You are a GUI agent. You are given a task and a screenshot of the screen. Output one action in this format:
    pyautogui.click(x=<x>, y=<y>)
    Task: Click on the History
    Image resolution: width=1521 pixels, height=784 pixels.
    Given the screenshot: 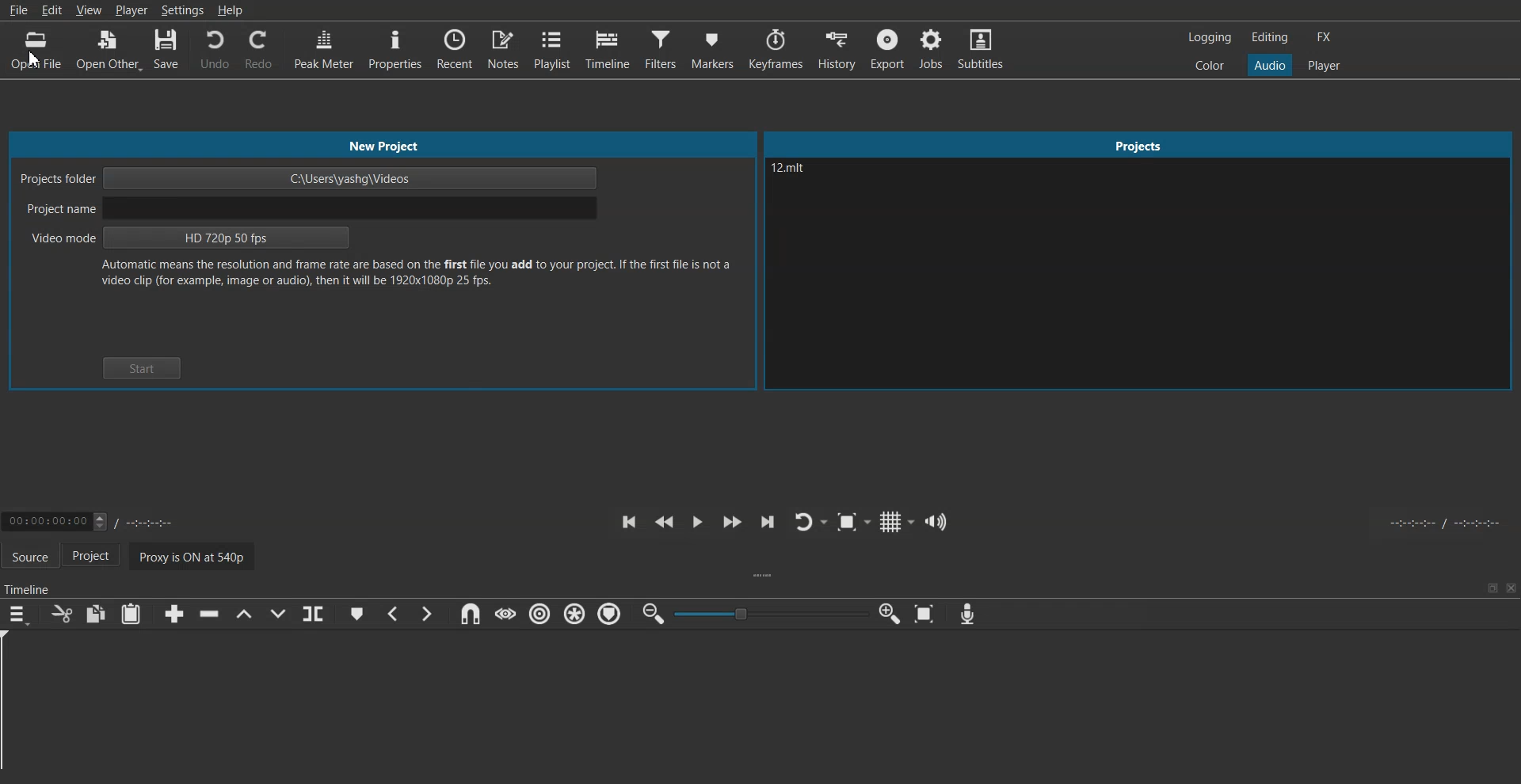 What is the action you would take?
    pyautogui.click(x=836, y=48)
    